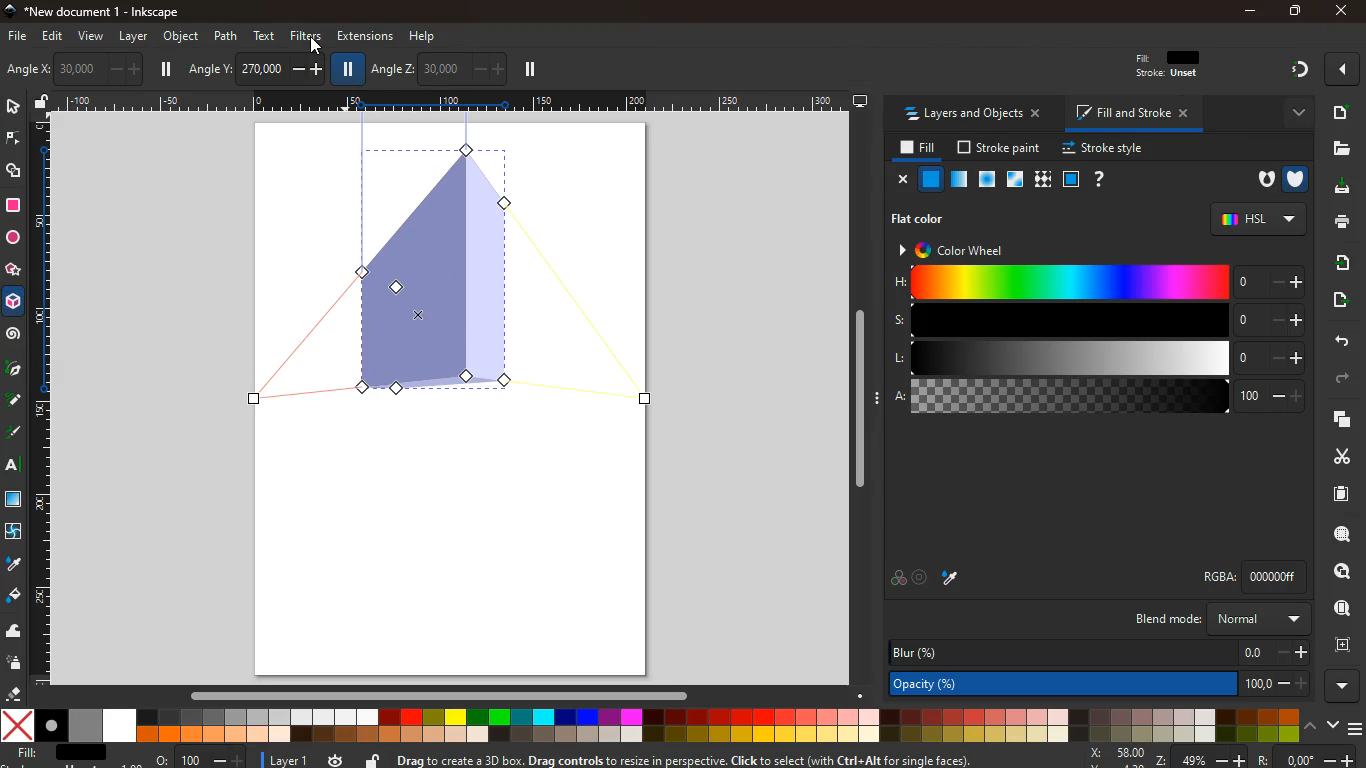 This screenshot has width=1366, height=768. What do you see at coordinates (1340, 112) in the screenshot?
I see `new` at bounding box center [1340, 112].